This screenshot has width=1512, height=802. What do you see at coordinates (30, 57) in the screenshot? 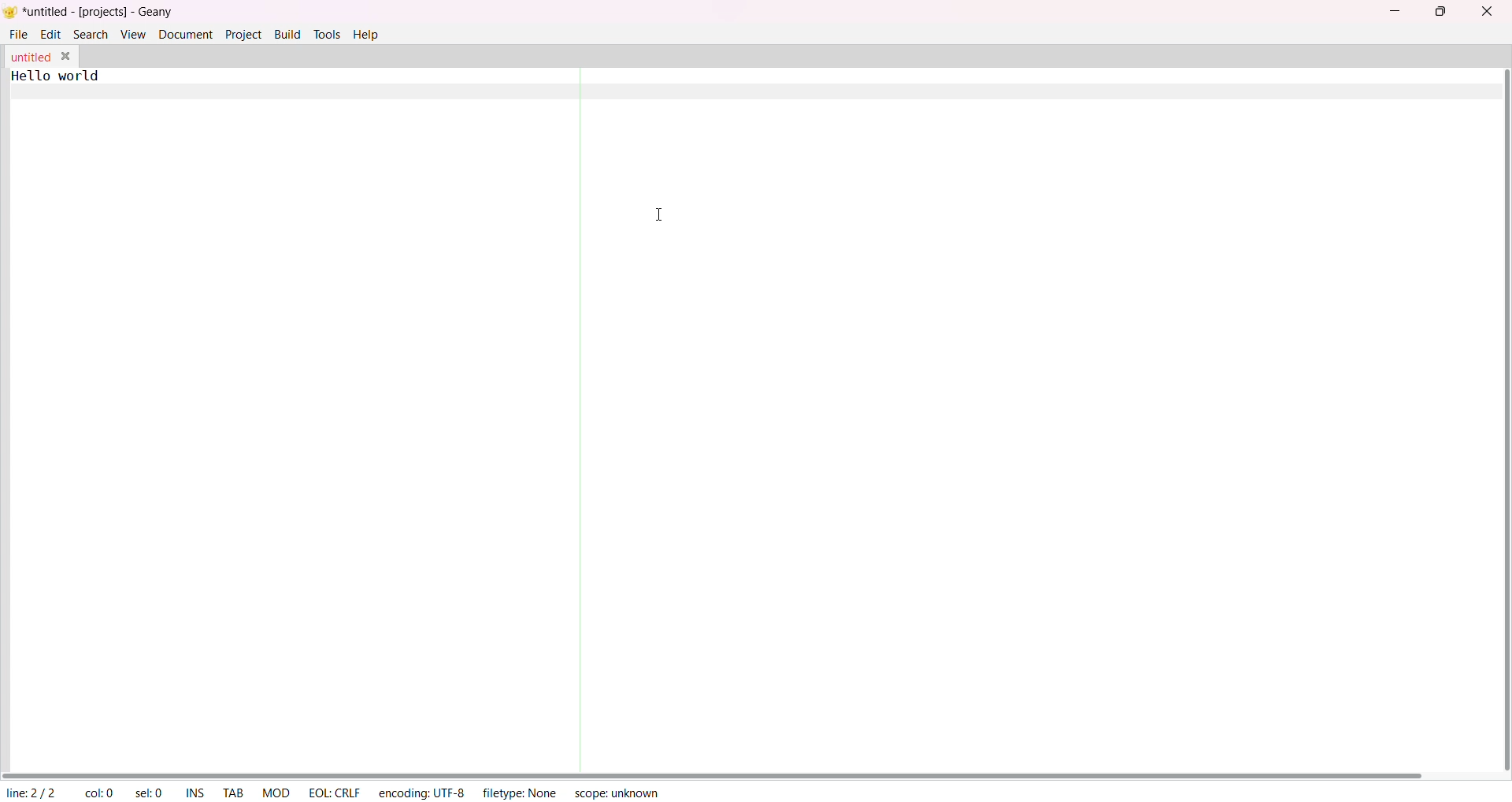
I see `tab name` at bounding box center [30, 57].